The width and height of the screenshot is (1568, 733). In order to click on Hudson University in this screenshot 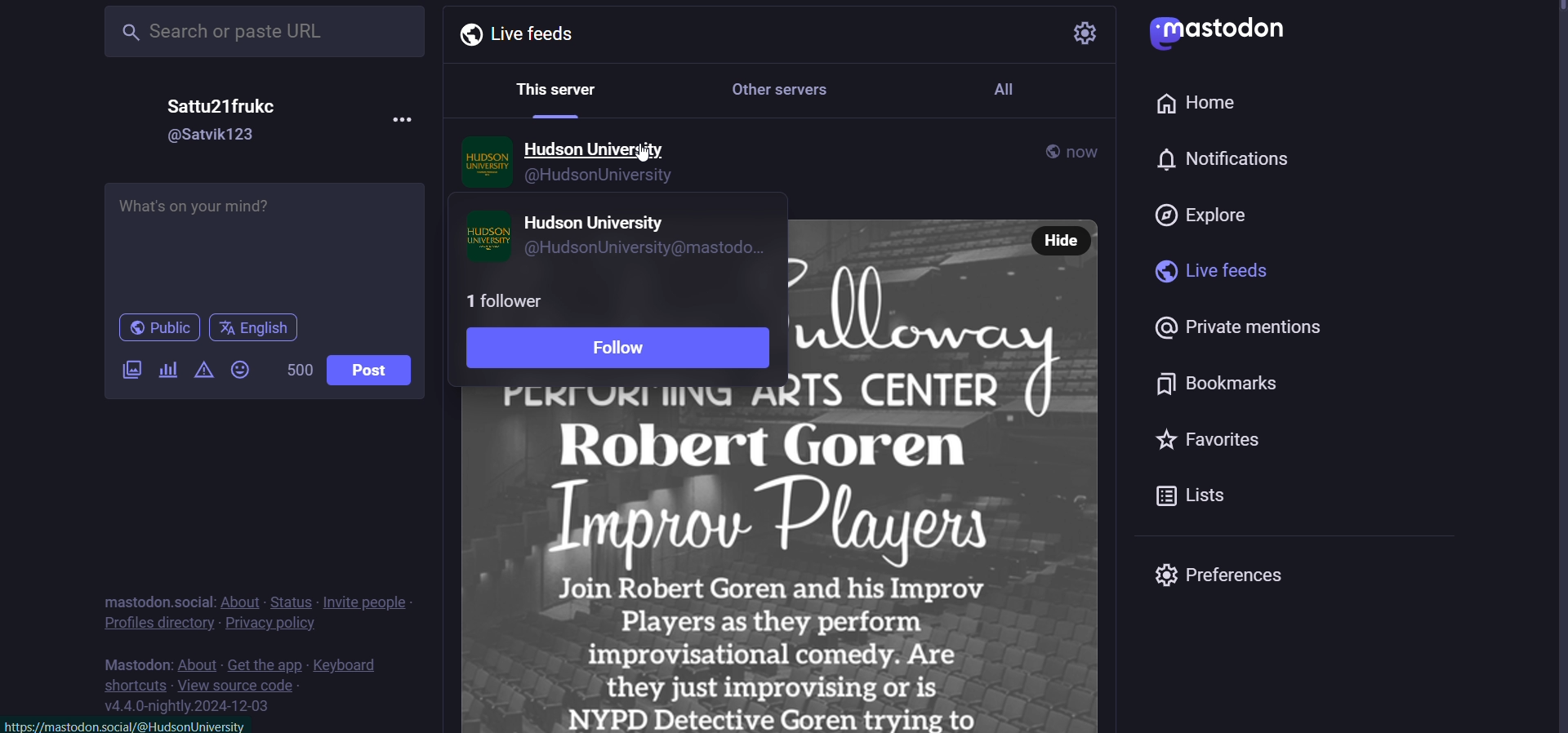, I will do `click(601, 220)`.